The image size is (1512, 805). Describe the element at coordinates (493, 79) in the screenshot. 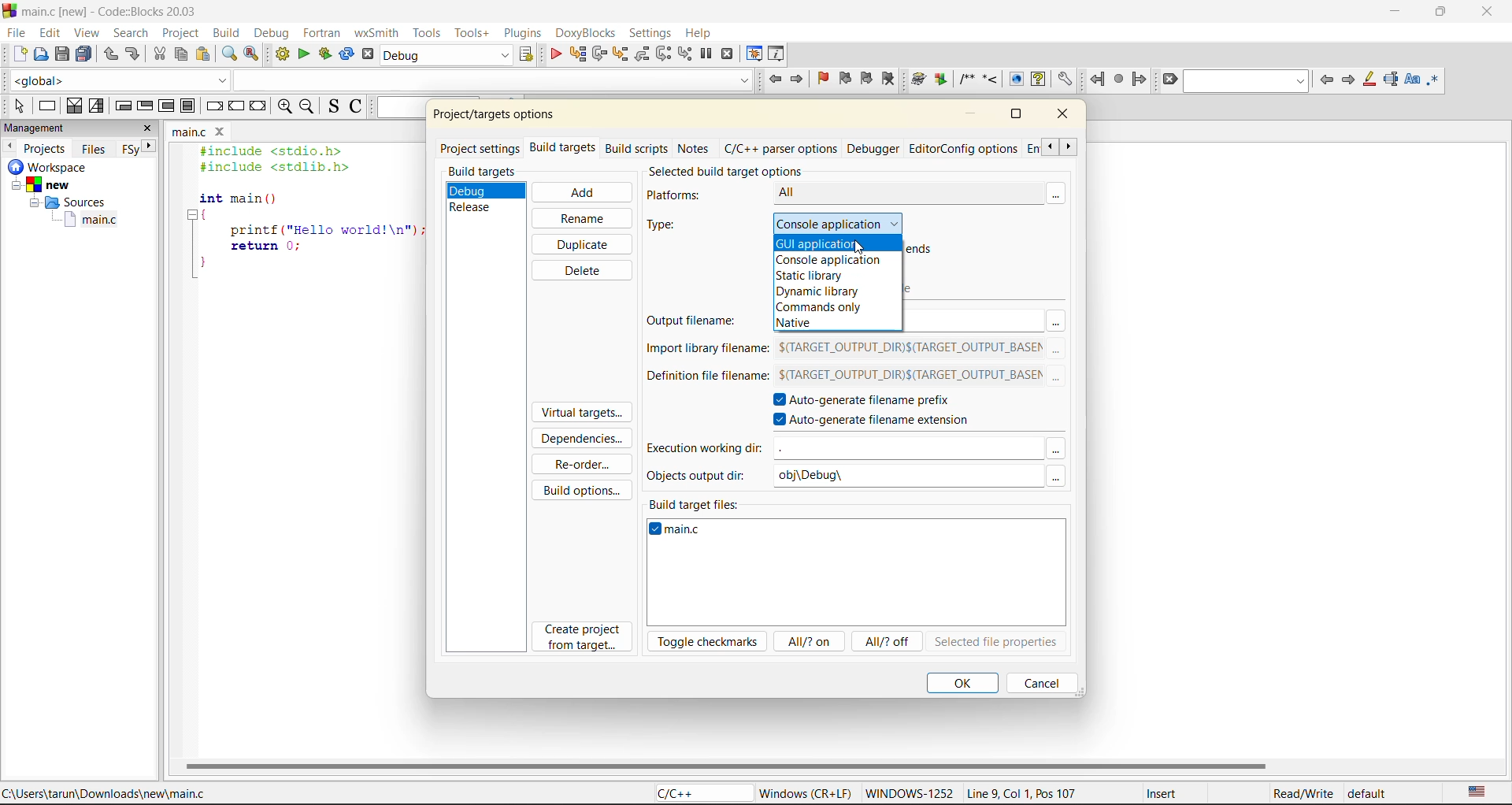

I see `code completion search` at that location.